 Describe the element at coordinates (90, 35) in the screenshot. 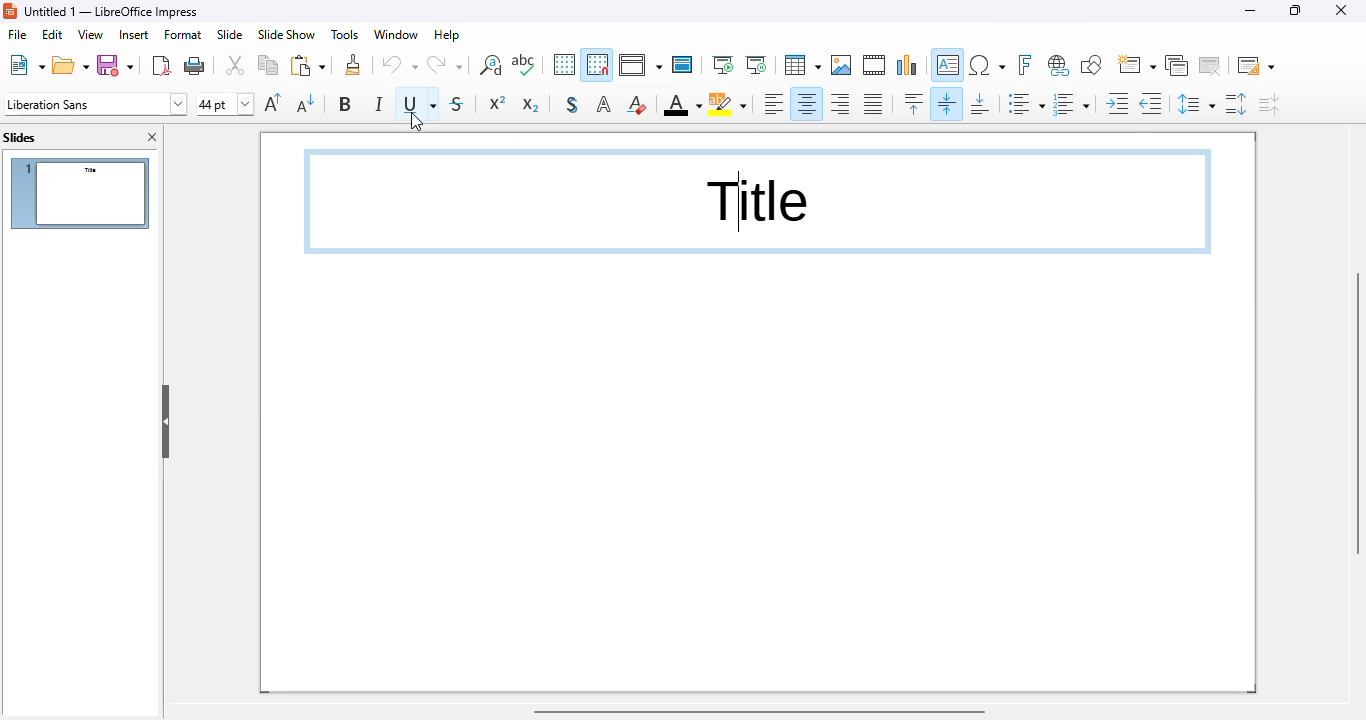

I see `view` at that location.